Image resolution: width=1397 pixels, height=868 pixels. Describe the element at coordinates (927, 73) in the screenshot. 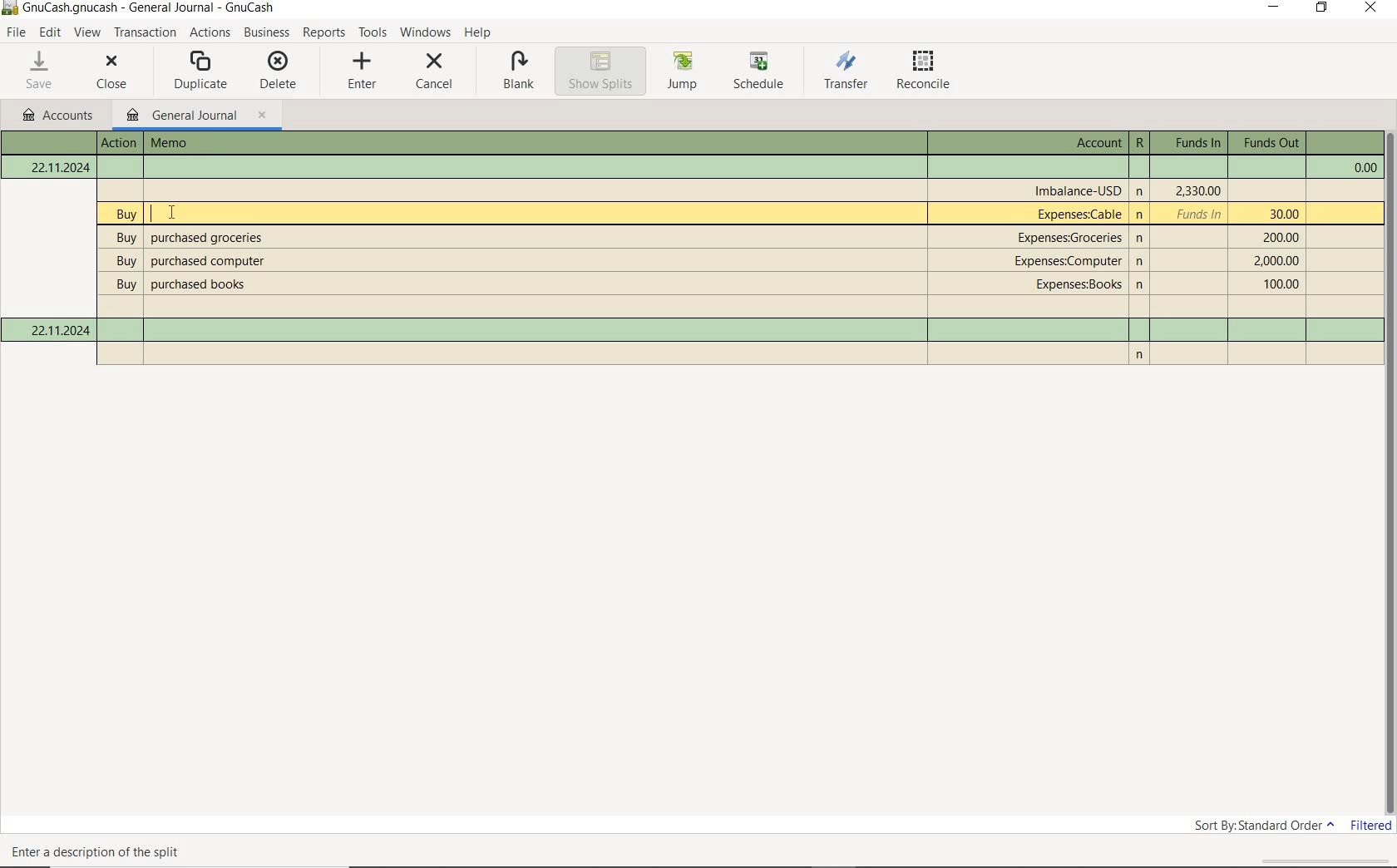

I see `reconcile` at that location.